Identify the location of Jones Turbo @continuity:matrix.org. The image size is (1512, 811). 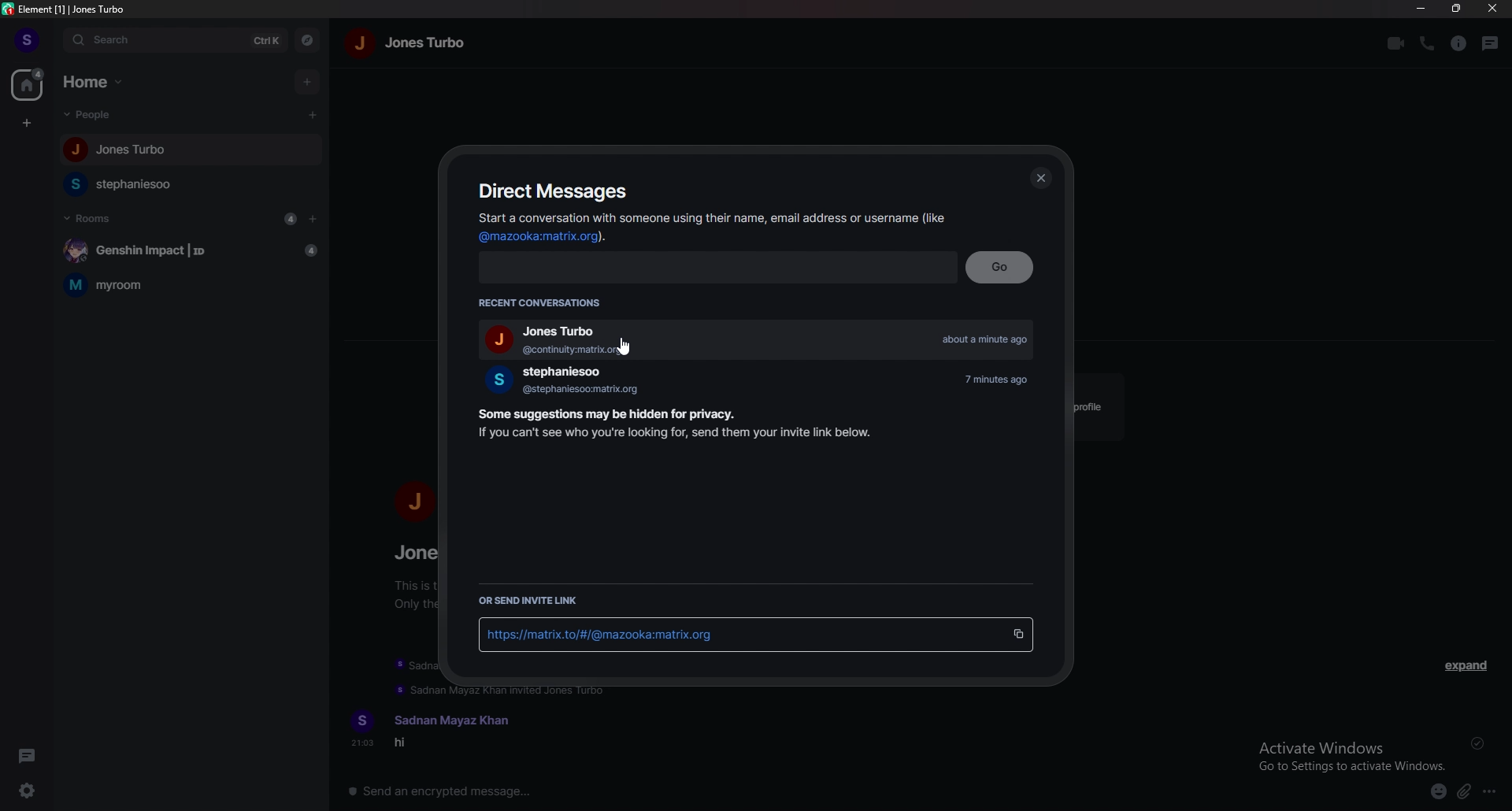
(532, 340).